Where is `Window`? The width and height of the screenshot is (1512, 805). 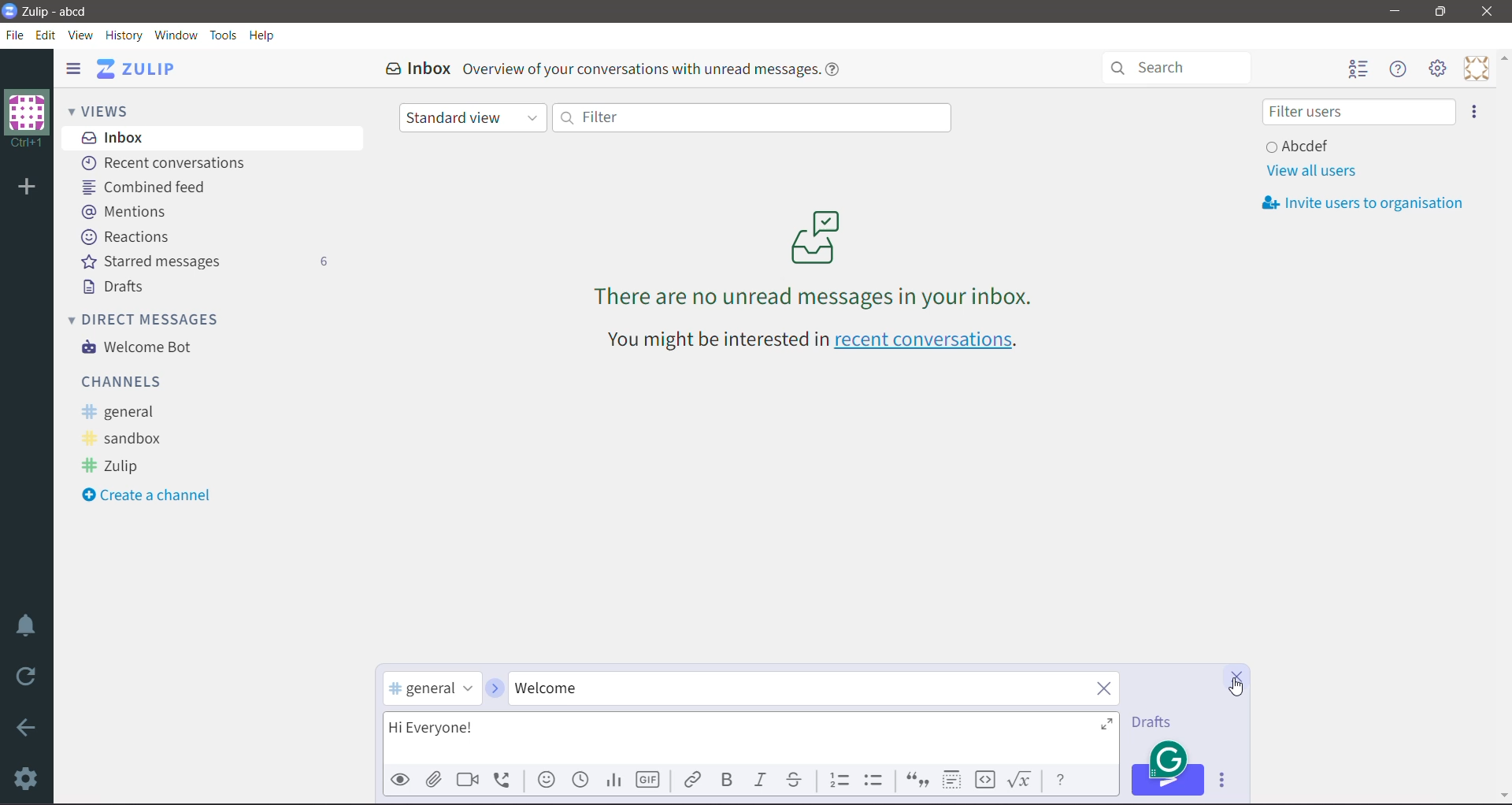 Window is located at coordinates (176, 35).